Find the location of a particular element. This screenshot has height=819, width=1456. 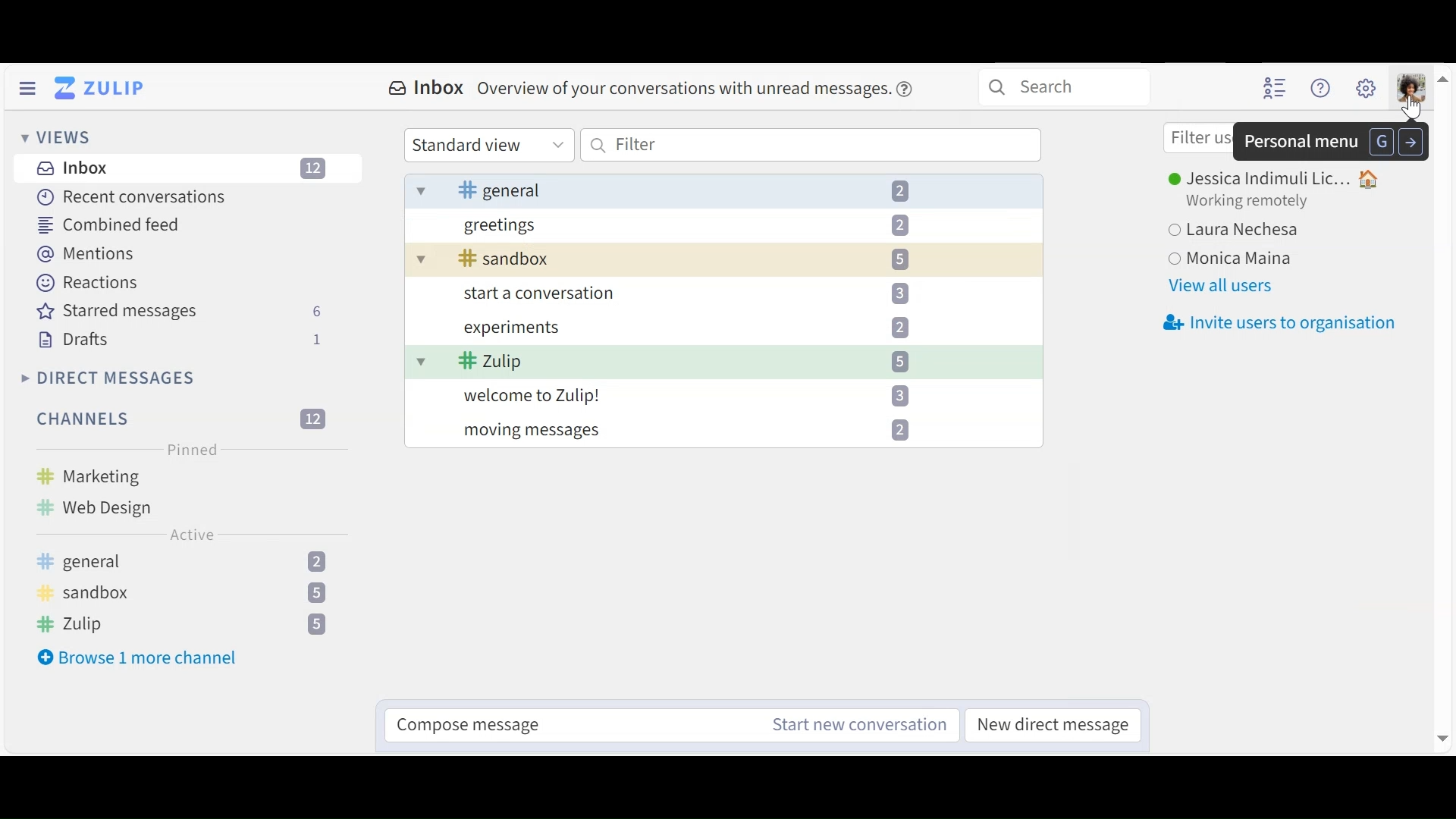

Filter is located at coordinates (811, 146).